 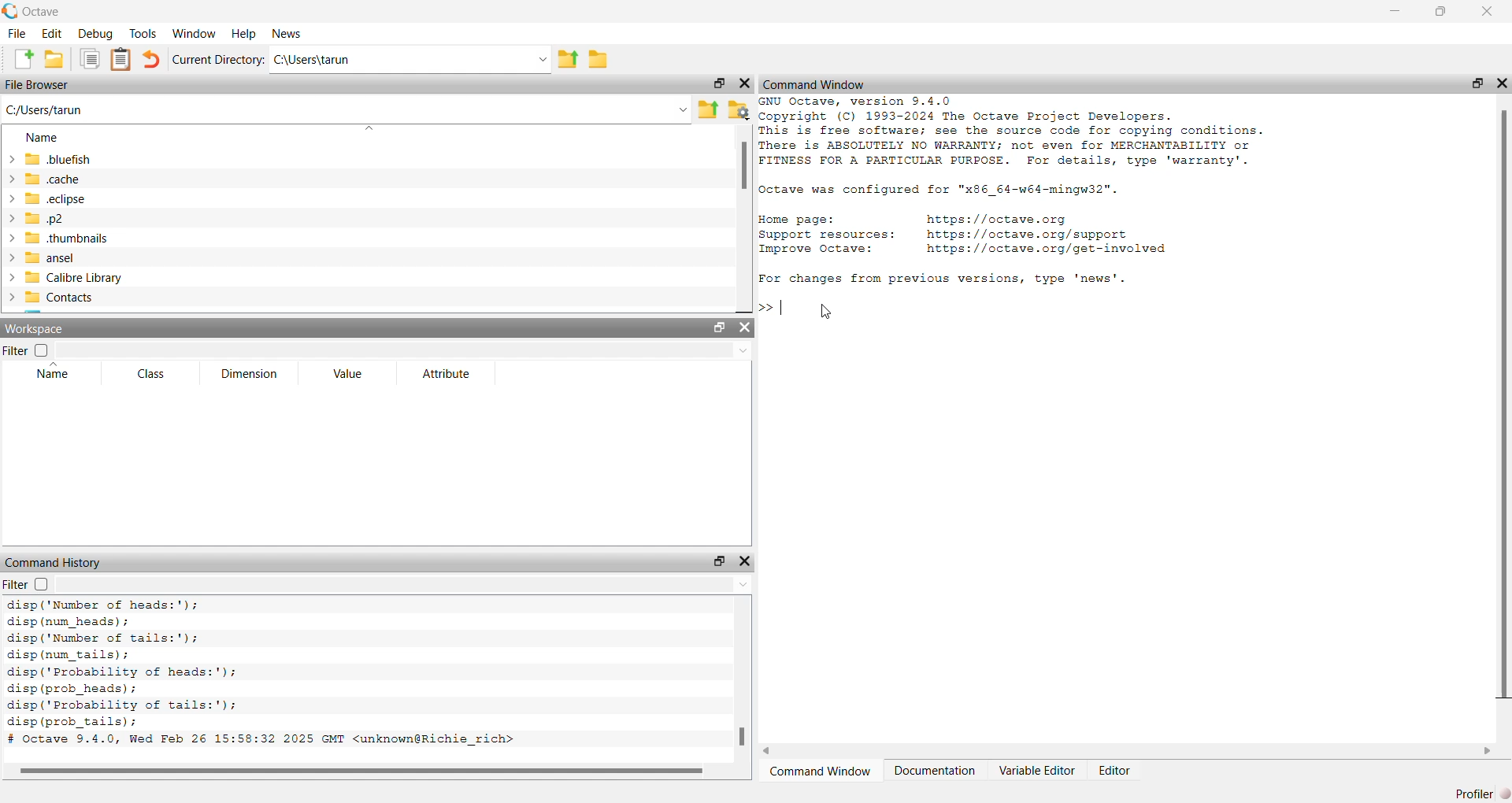 What do you see at coordinates (143, 33) in the screenshot?
I see `Tools` at bounding box center [143, 33].